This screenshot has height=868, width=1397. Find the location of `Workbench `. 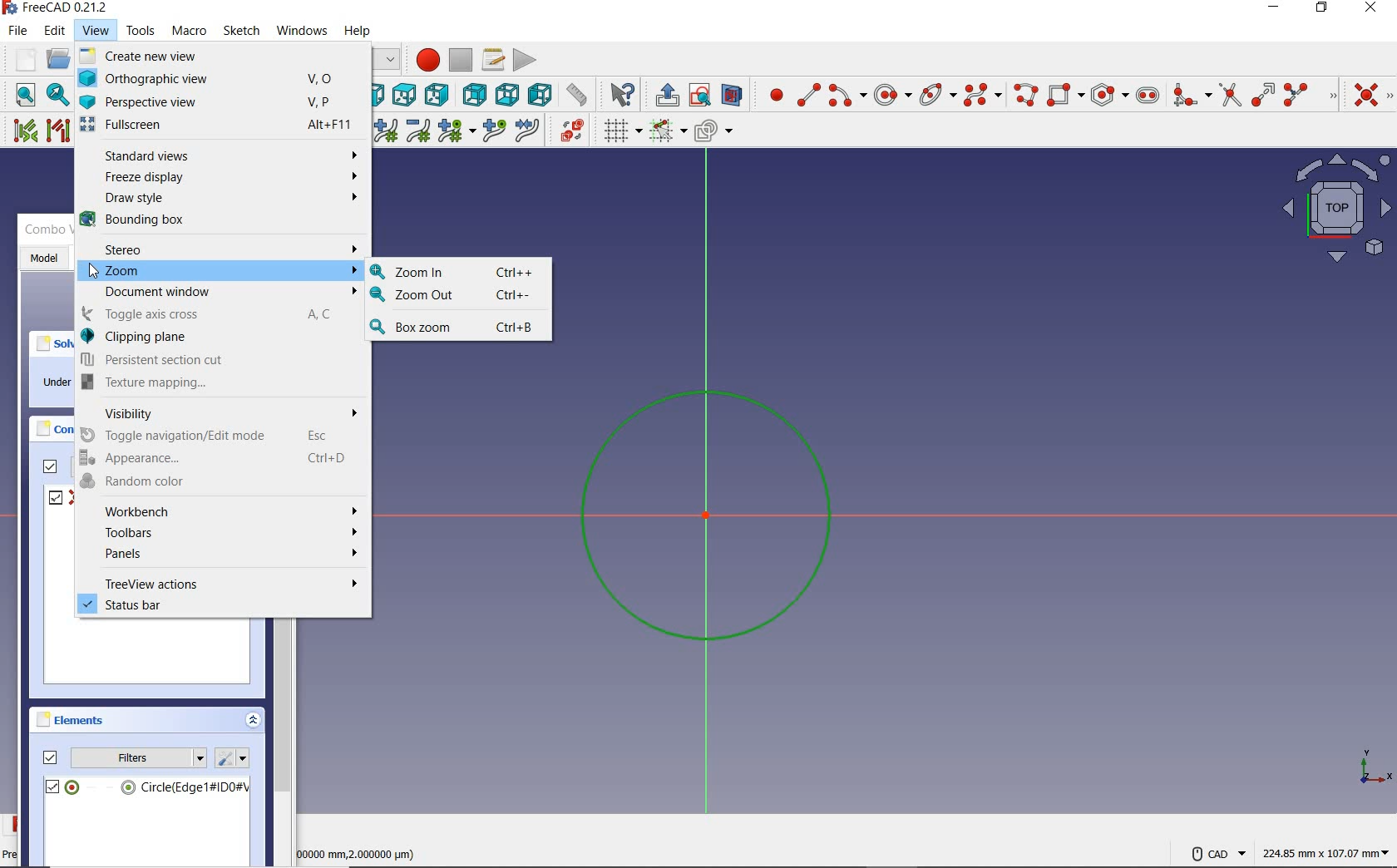

Workbench  is located at coordinates (224, 511).